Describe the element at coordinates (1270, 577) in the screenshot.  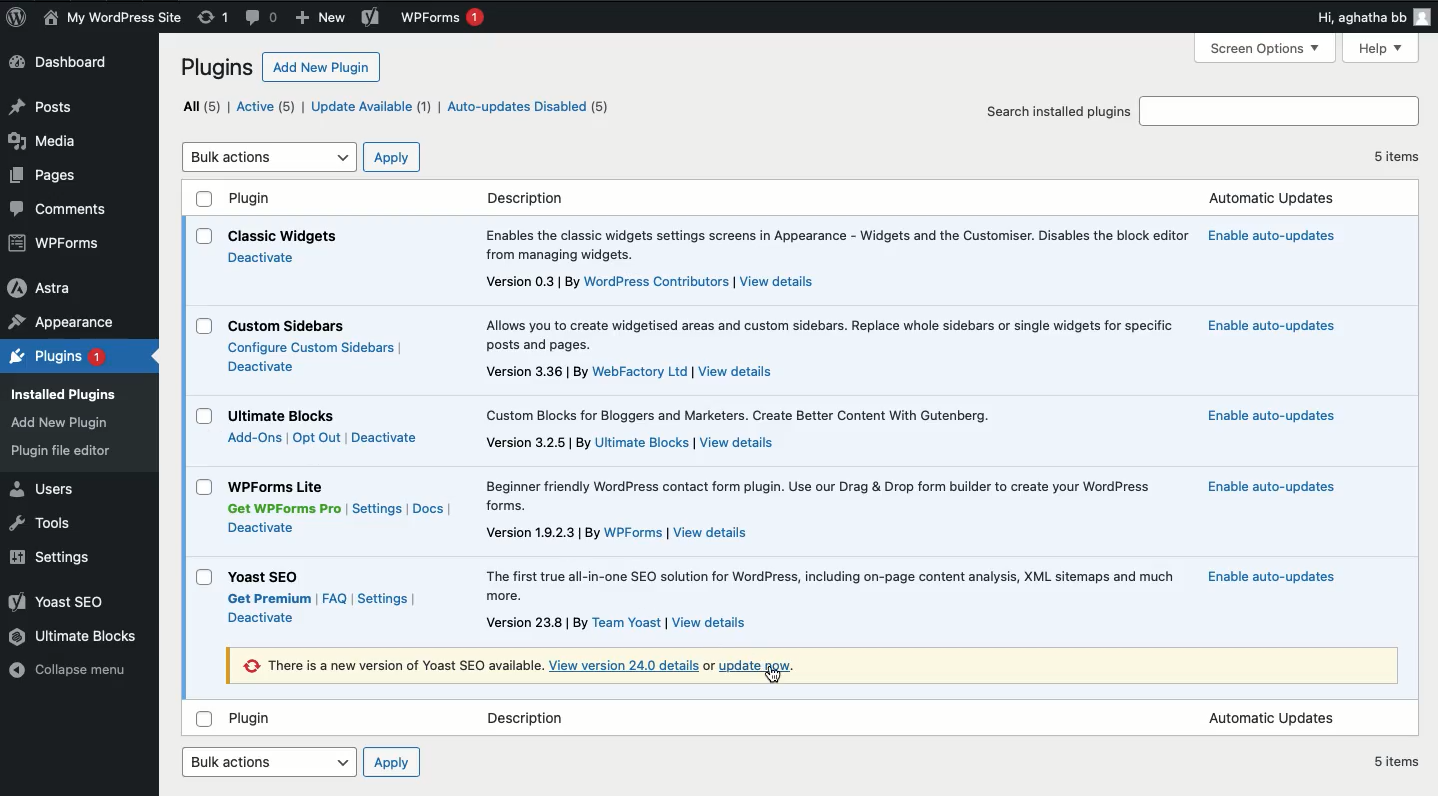
I see `Enable auto updates` at that location.